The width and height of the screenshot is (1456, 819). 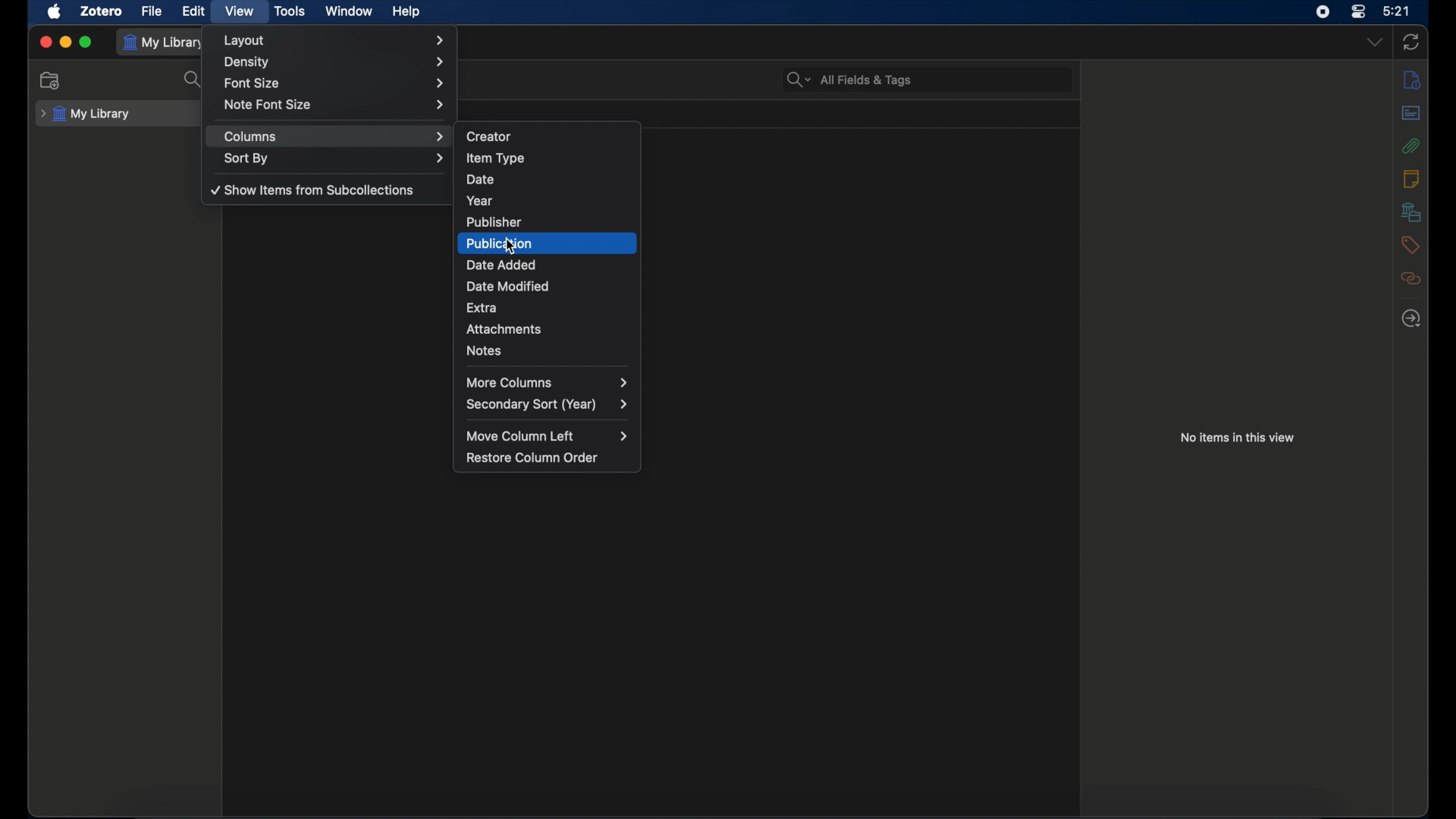 What do you see at coordinates (1410, 42) in the screenshot?
I see `sync` at bounding box center [1410, 42].